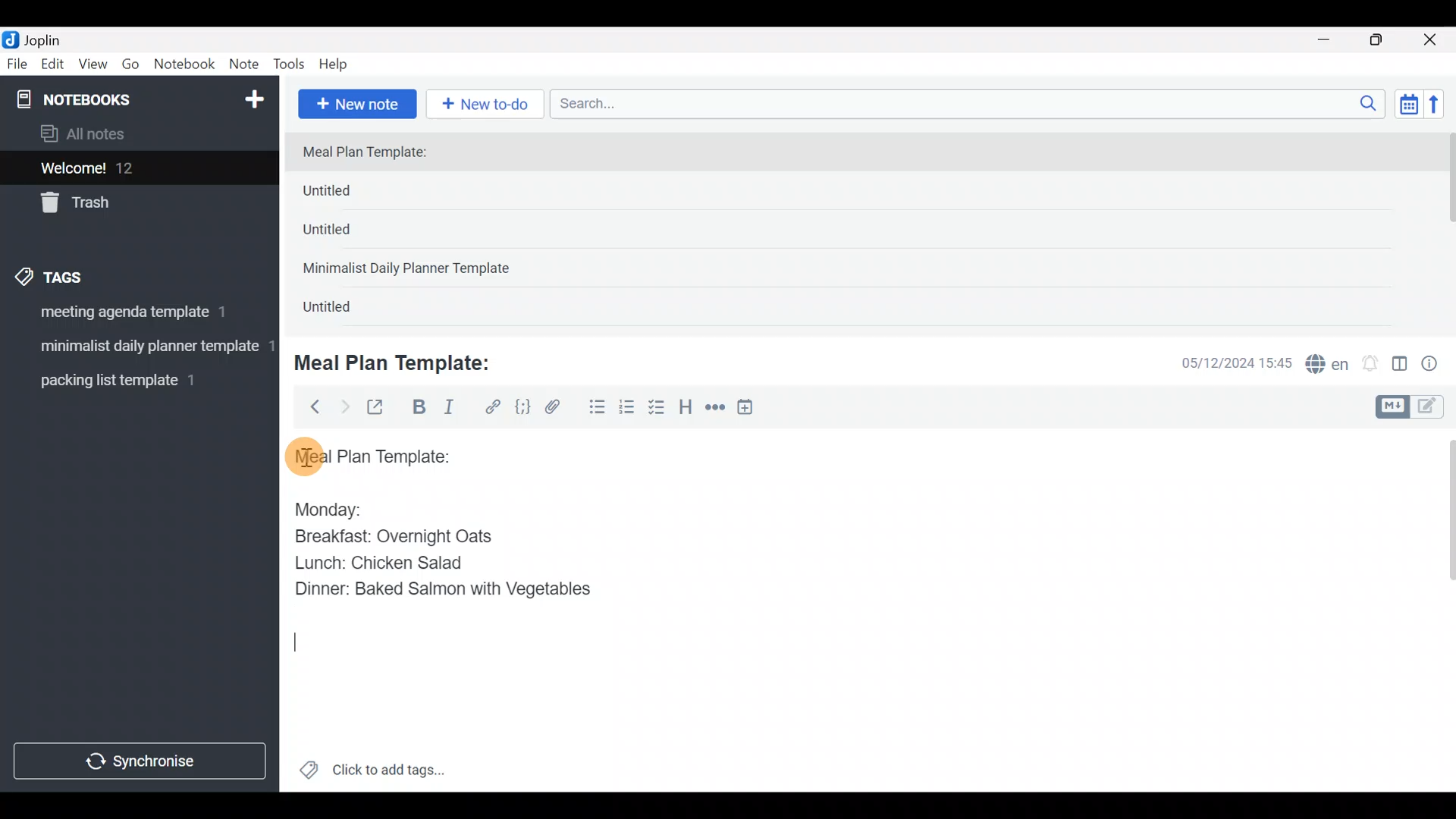  Describe the element at coordinates (686, 409) in the screenshot. I see `Heading` at that location.